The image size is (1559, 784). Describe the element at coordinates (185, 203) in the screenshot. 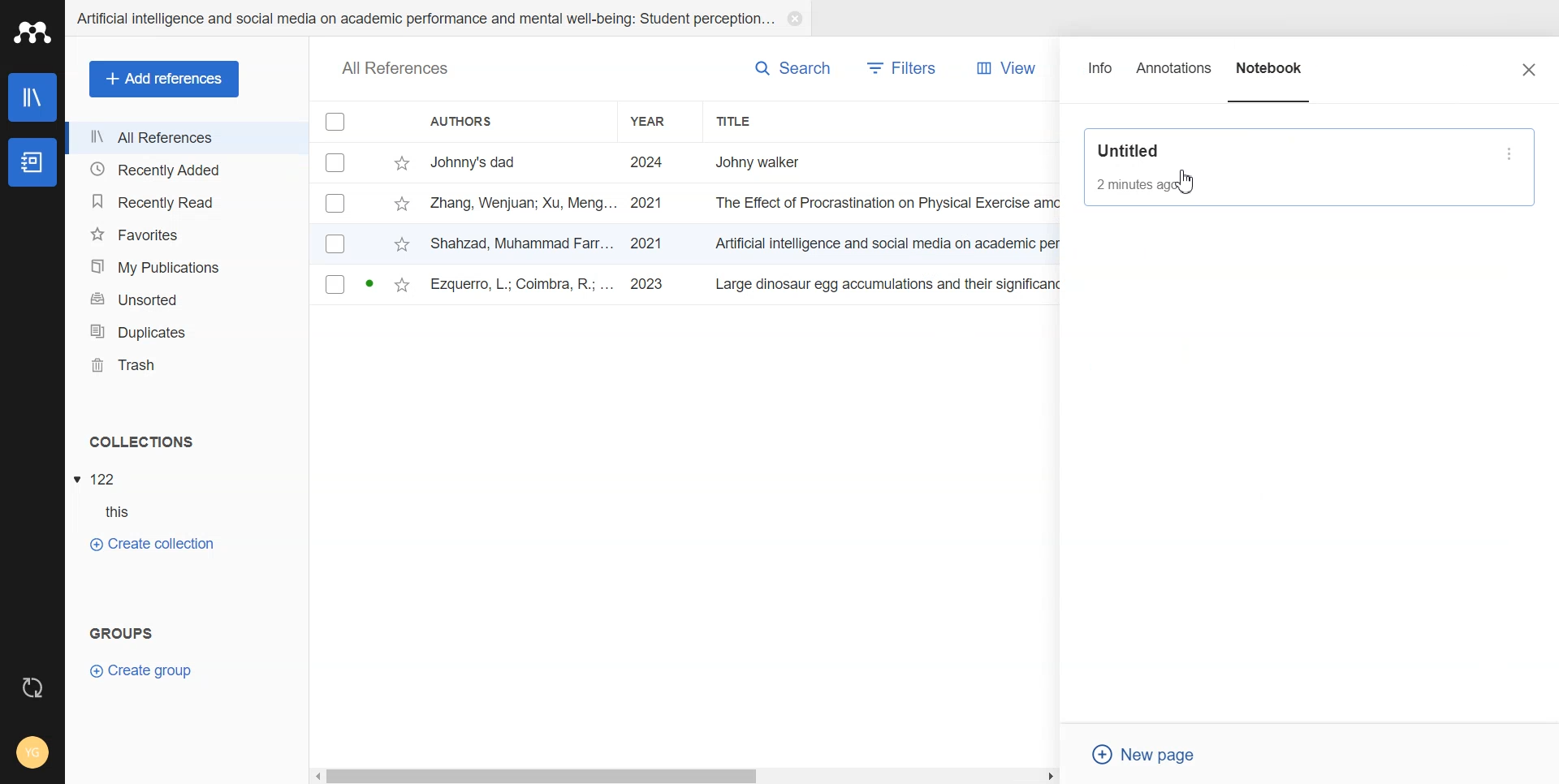

I see `Recently Read` at that location.